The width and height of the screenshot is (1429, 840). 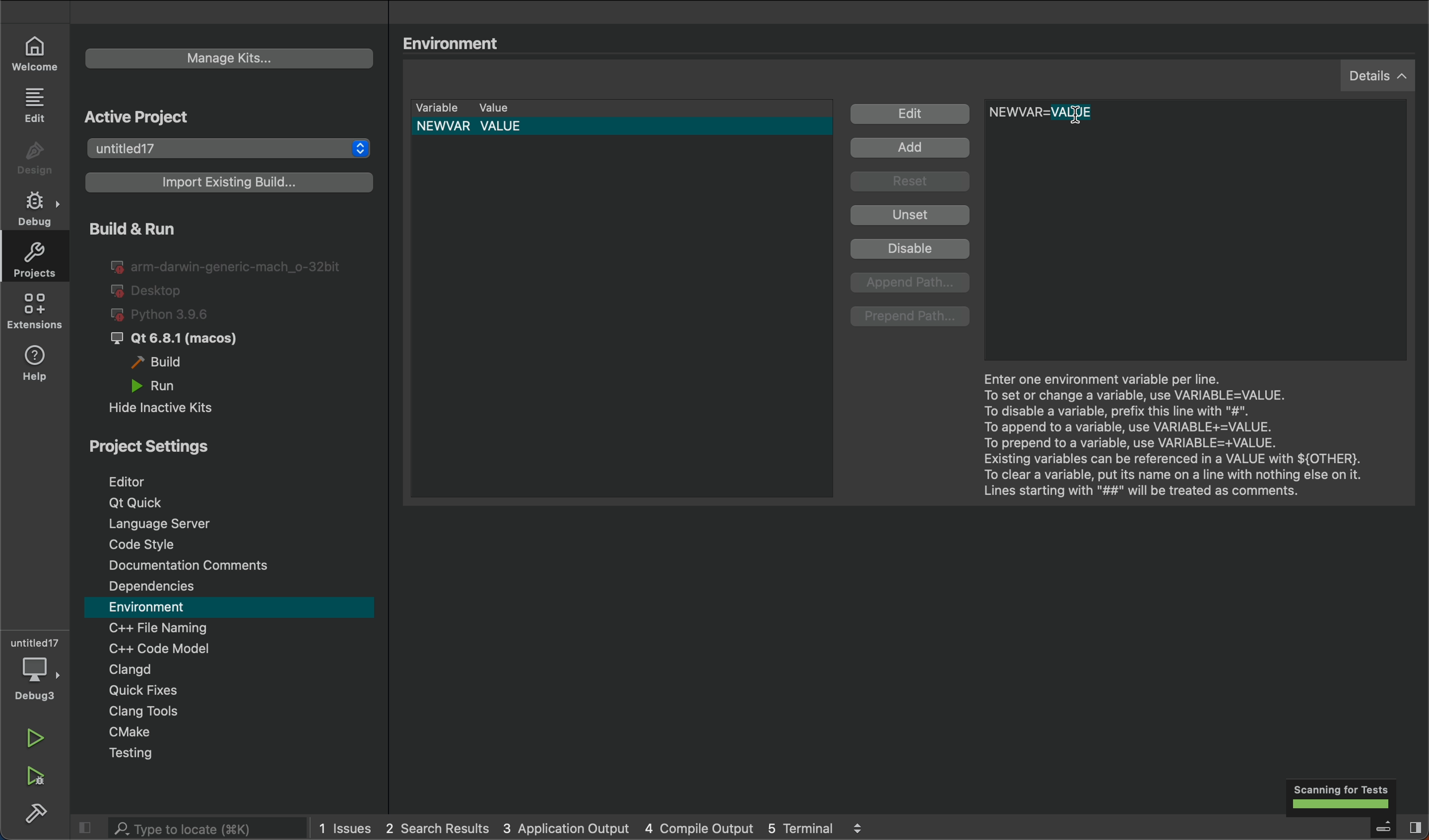 What do you see at coordinates (231, 608) in the screenshot?
I see `environment` at bounding box center [231, 608].